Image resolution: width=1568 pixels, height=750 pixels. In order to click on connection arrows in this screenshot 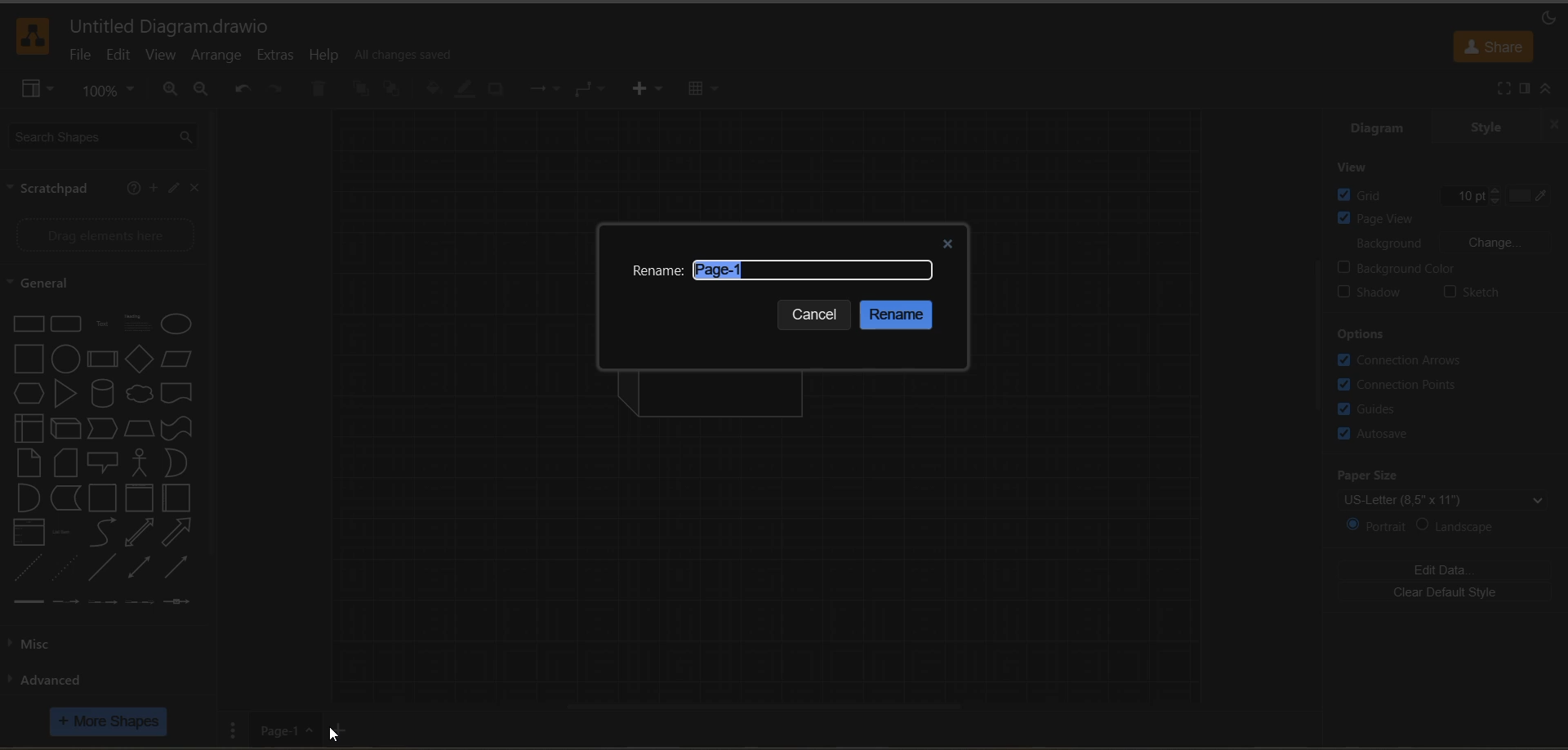, I will do `click(1404, 360)`.